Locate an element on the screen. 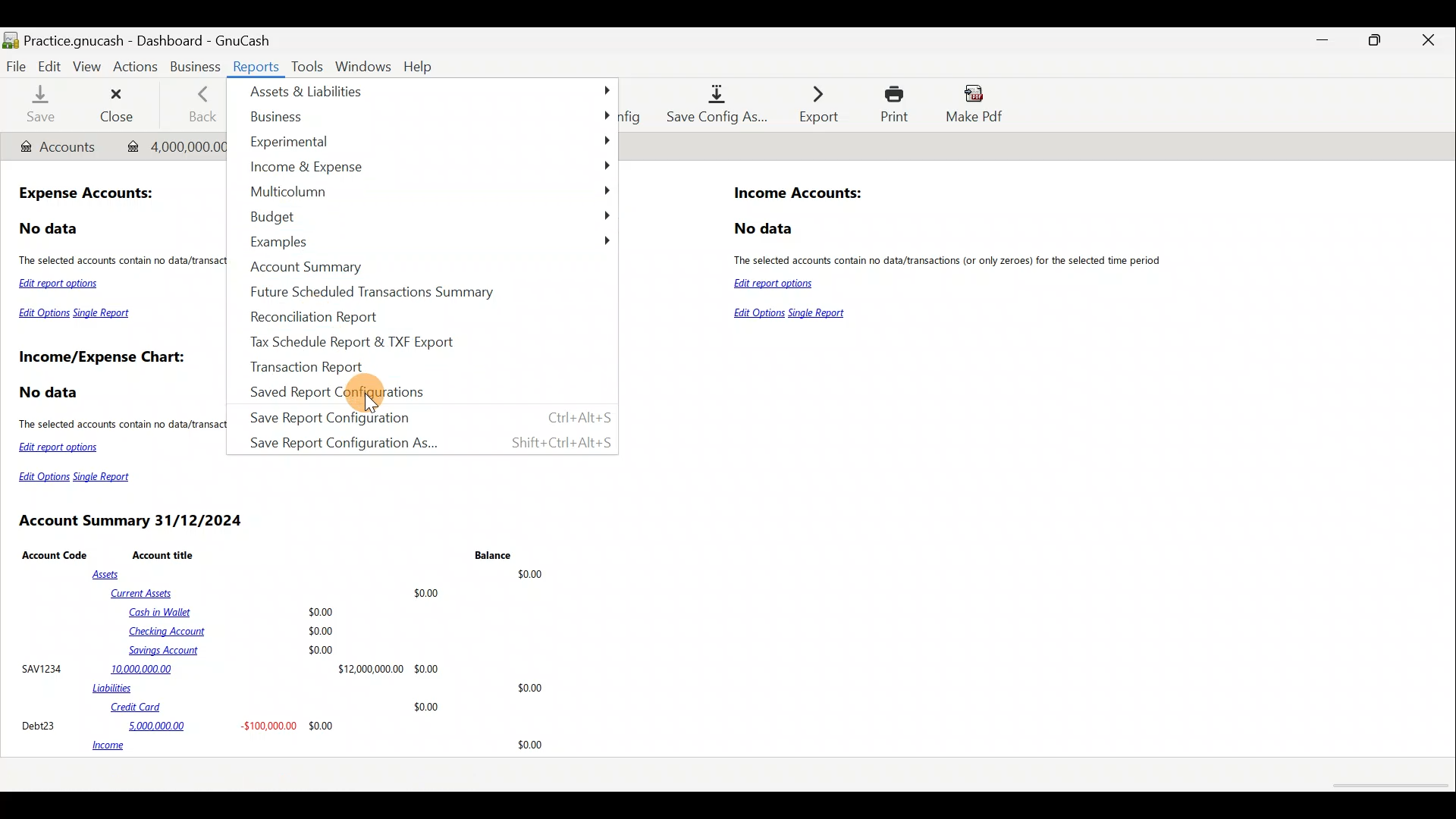 This screenshot has height=819, width=1456. Close is located at coordinates (120, 105).